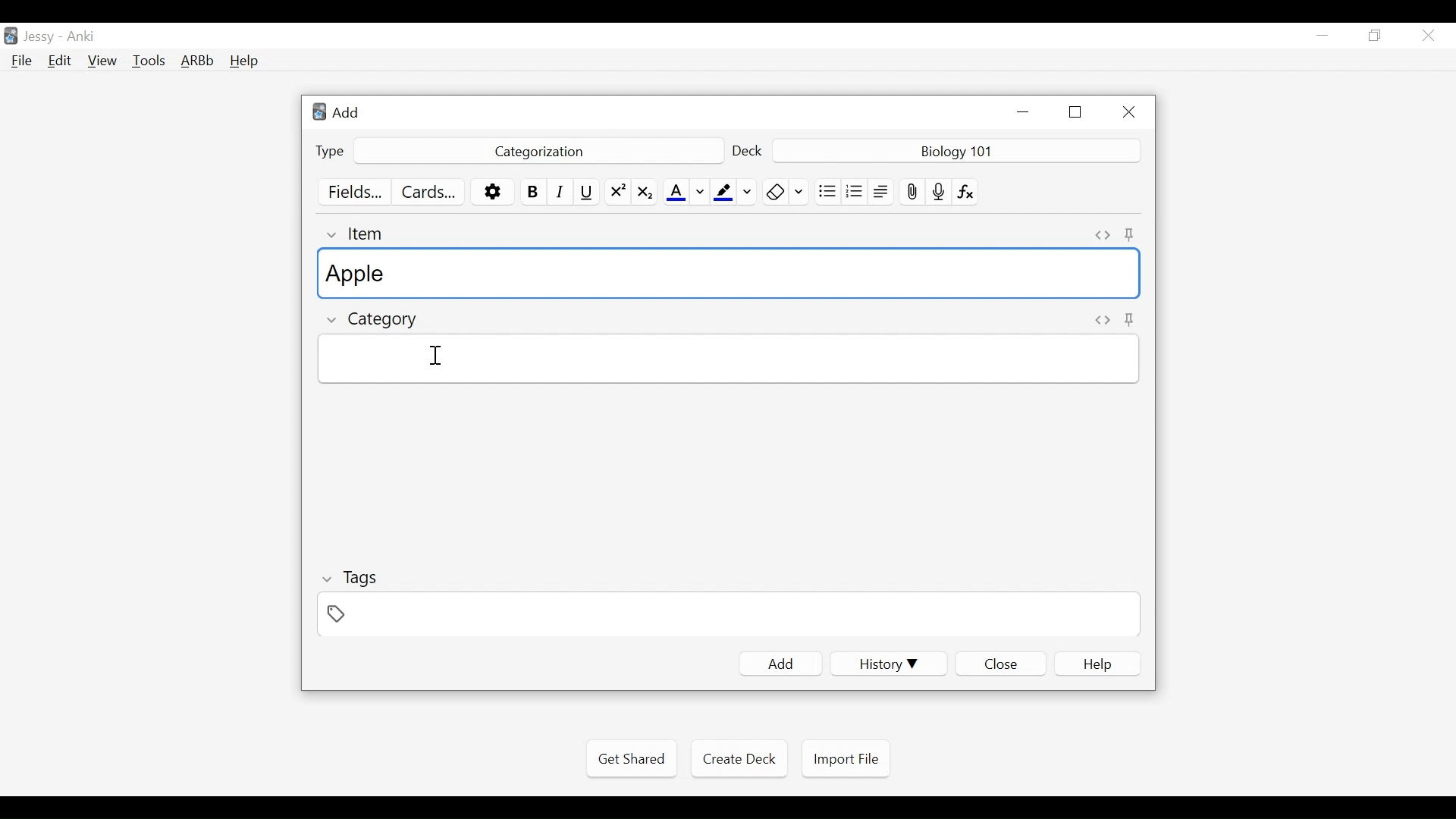  What do you see at coordinates (827, 191) in the screenshot?
I see `Unordered list` at bounding box center [827, 191].